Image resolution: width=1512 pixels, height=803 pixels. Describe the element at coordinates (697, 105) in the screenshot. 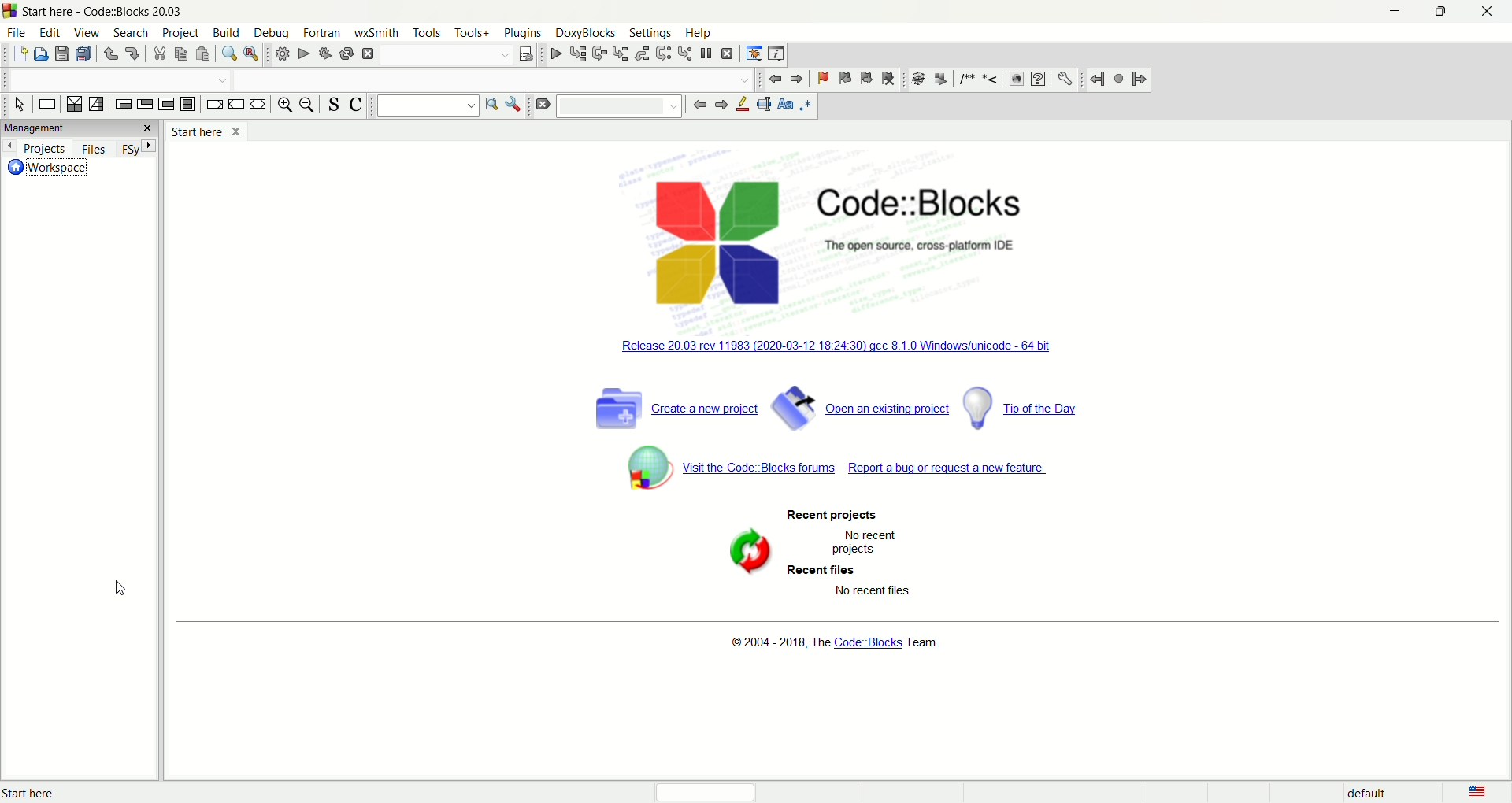

I see `go back` at that location.